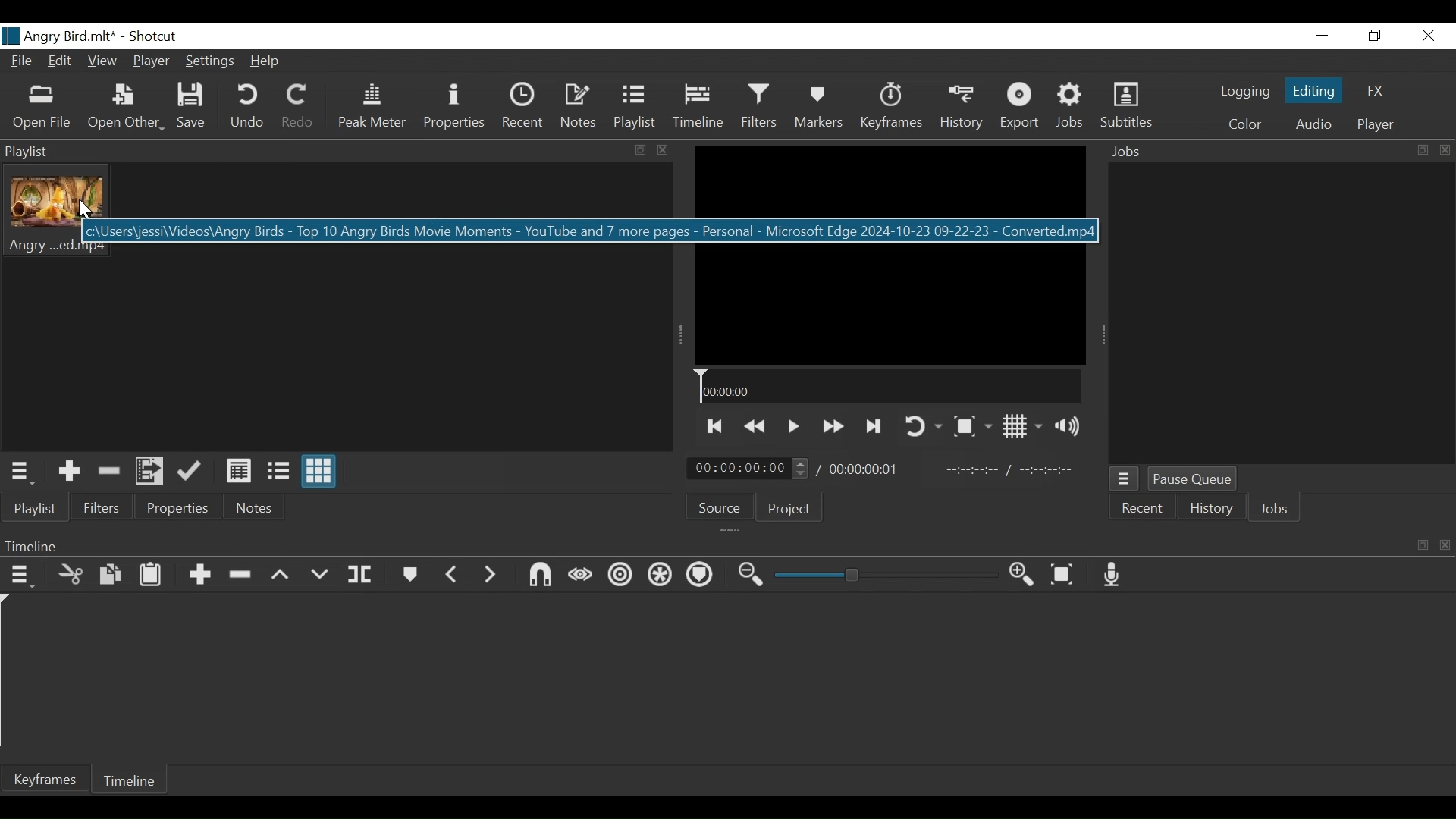 The height and width of the screenshot is (819, 1456). Describe the element at coordinates (872, 428) in the screenshot. I see `Skip to the next point` at that location.